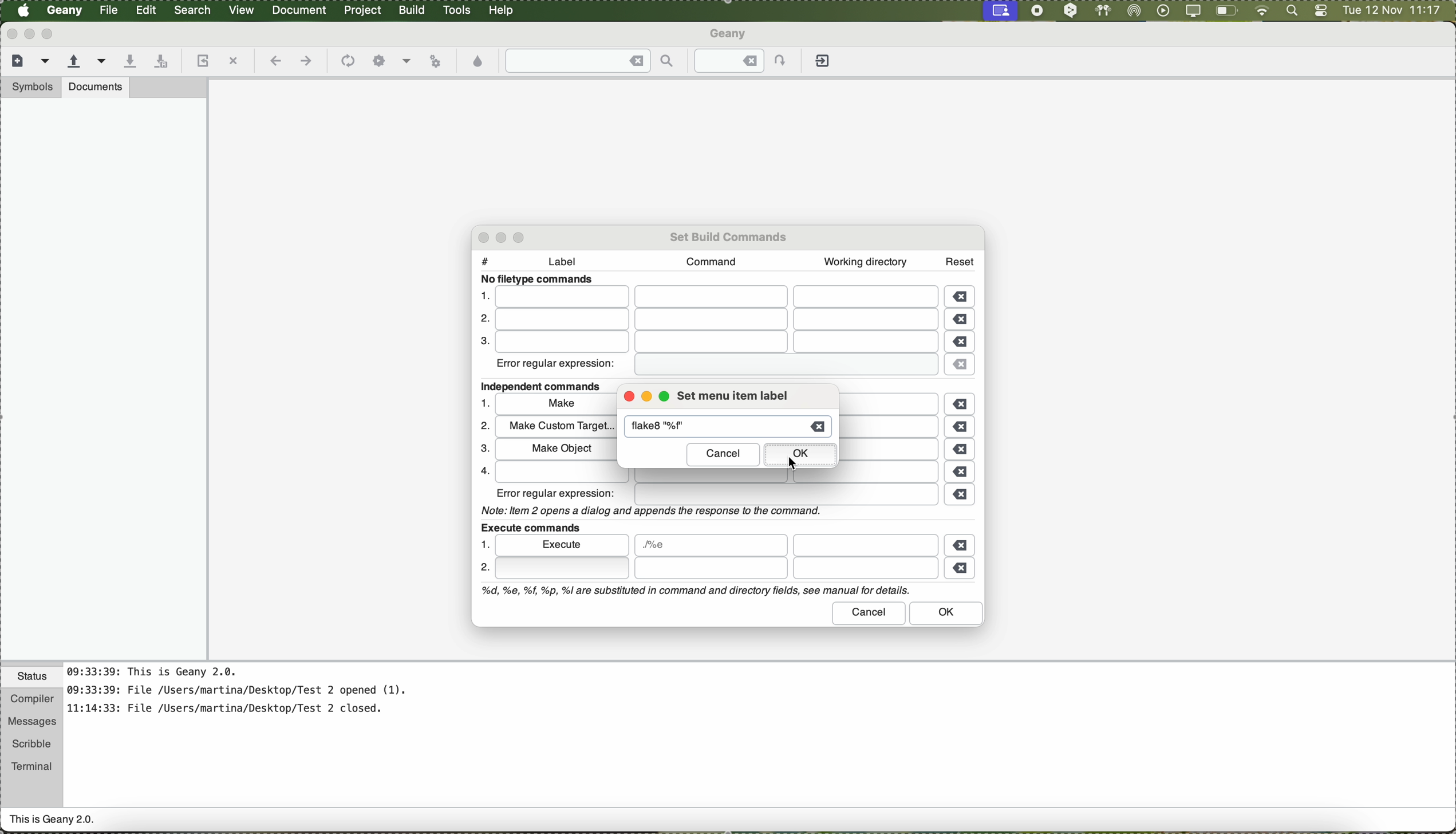 This screenshot has width=1456, height=834. Describe the element at coordinates (1227, 13) in the screenshot. I see `battery` at that location.